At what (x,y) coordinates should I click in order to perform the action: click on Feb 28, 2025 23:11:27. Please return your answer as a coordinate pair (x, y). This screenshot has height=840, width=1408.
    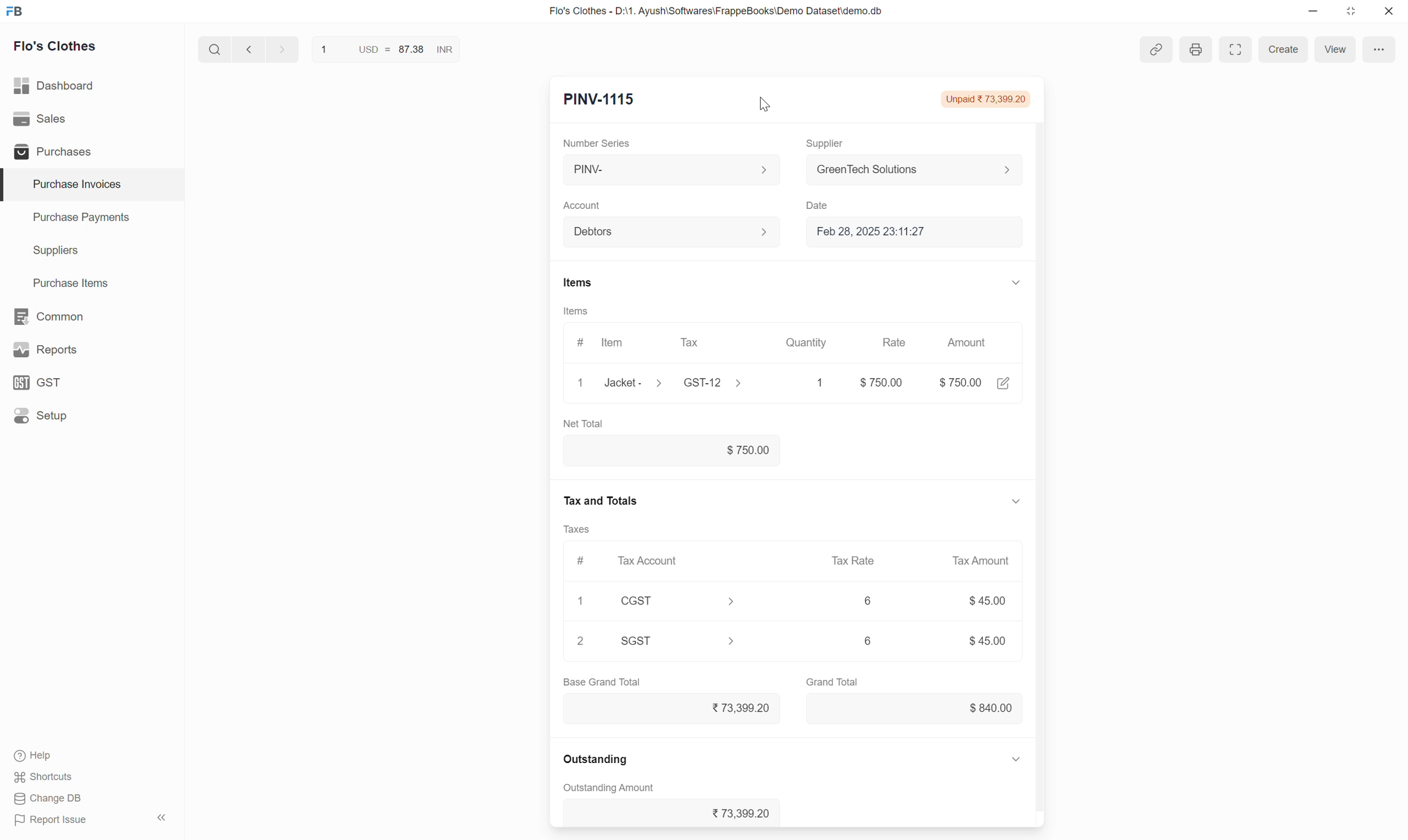
    Looking at the image, I should click on (920, 232).